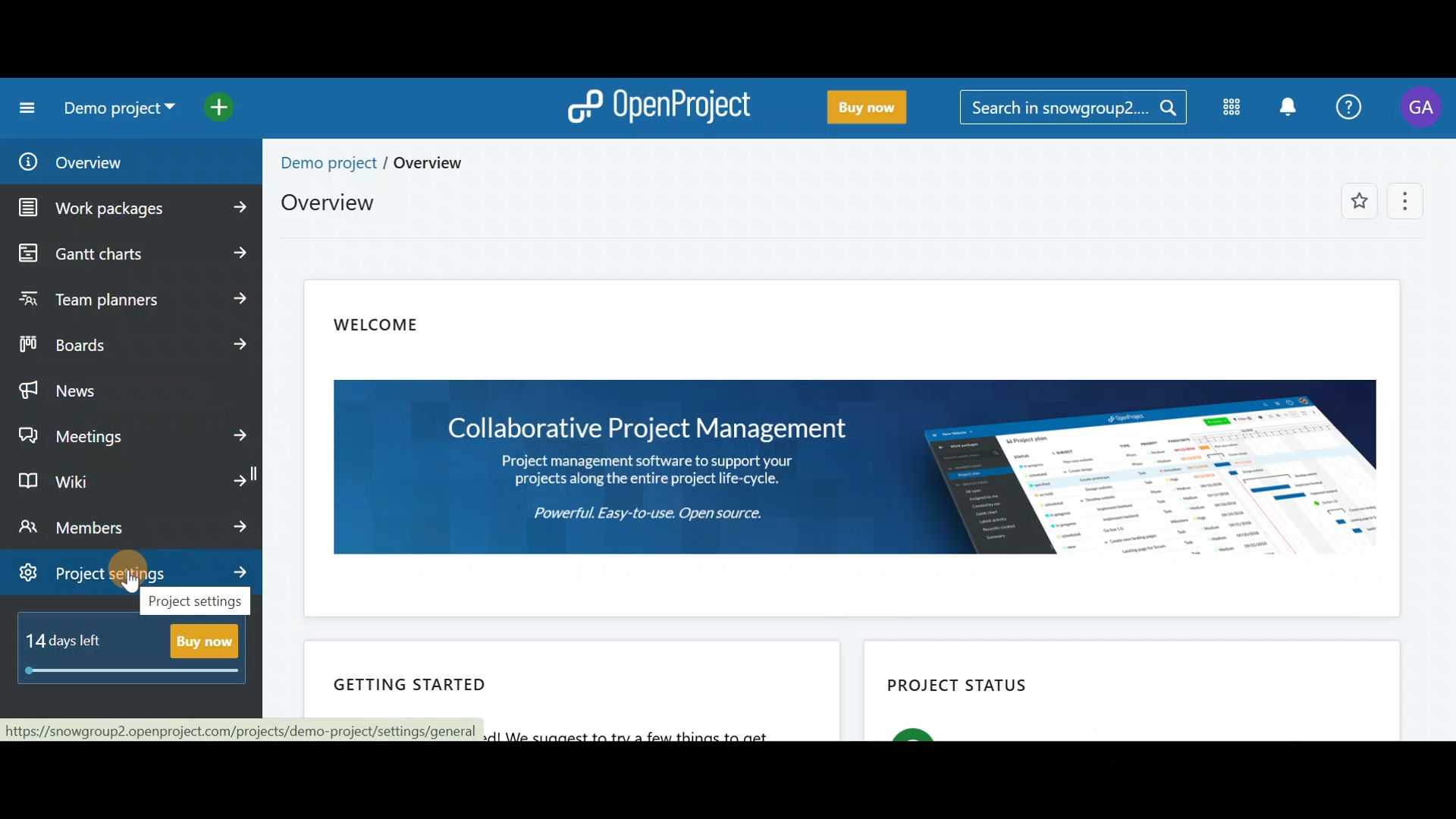 The width and height of the screenshot is (1456, 819). Describe the element at coordinates (1072, 107) in the screenshot. I see `Search bar` at that location.